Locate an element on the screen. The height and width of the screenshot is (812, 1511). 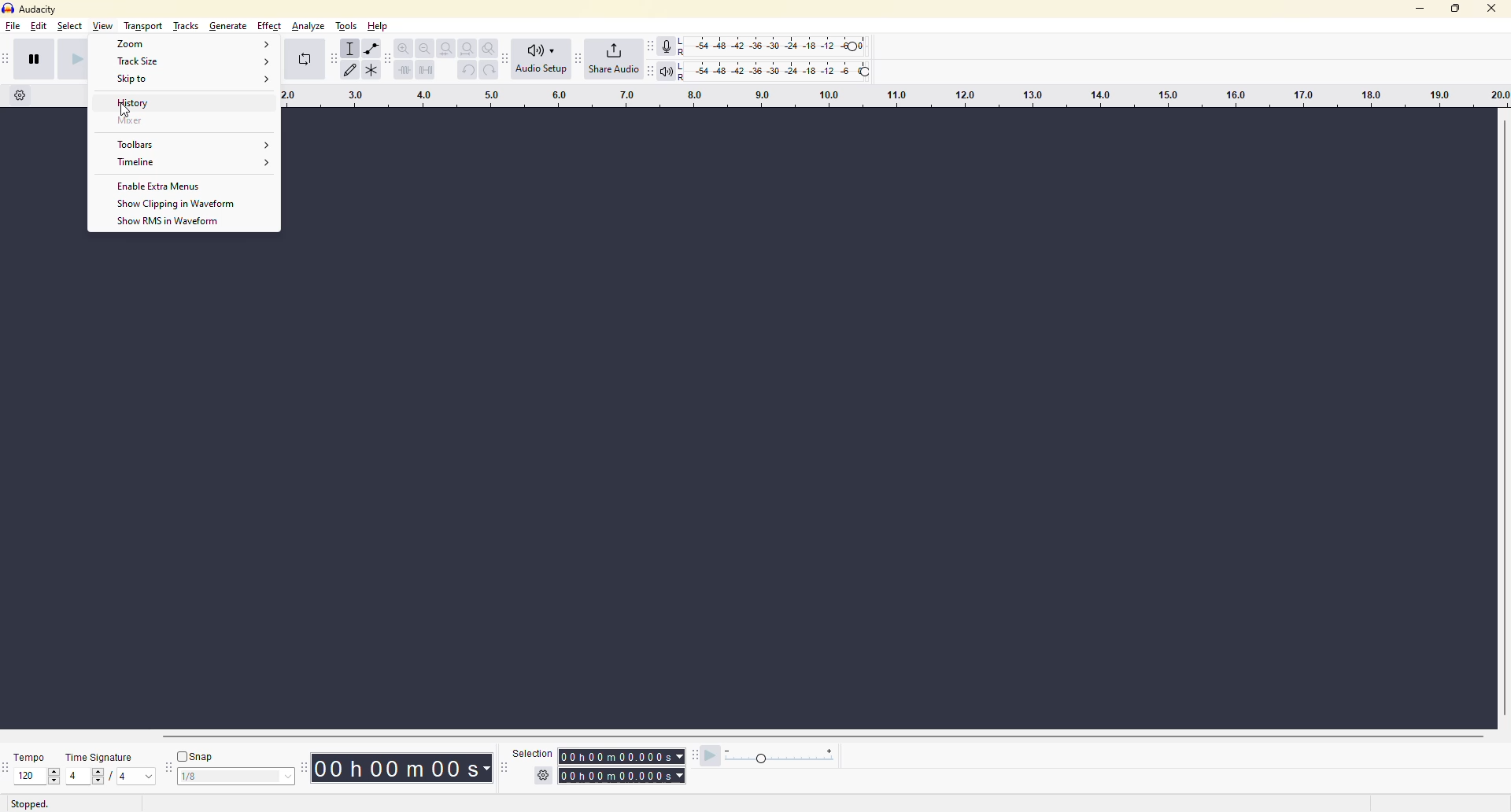
playback meter is located at coordinates (671, 69).